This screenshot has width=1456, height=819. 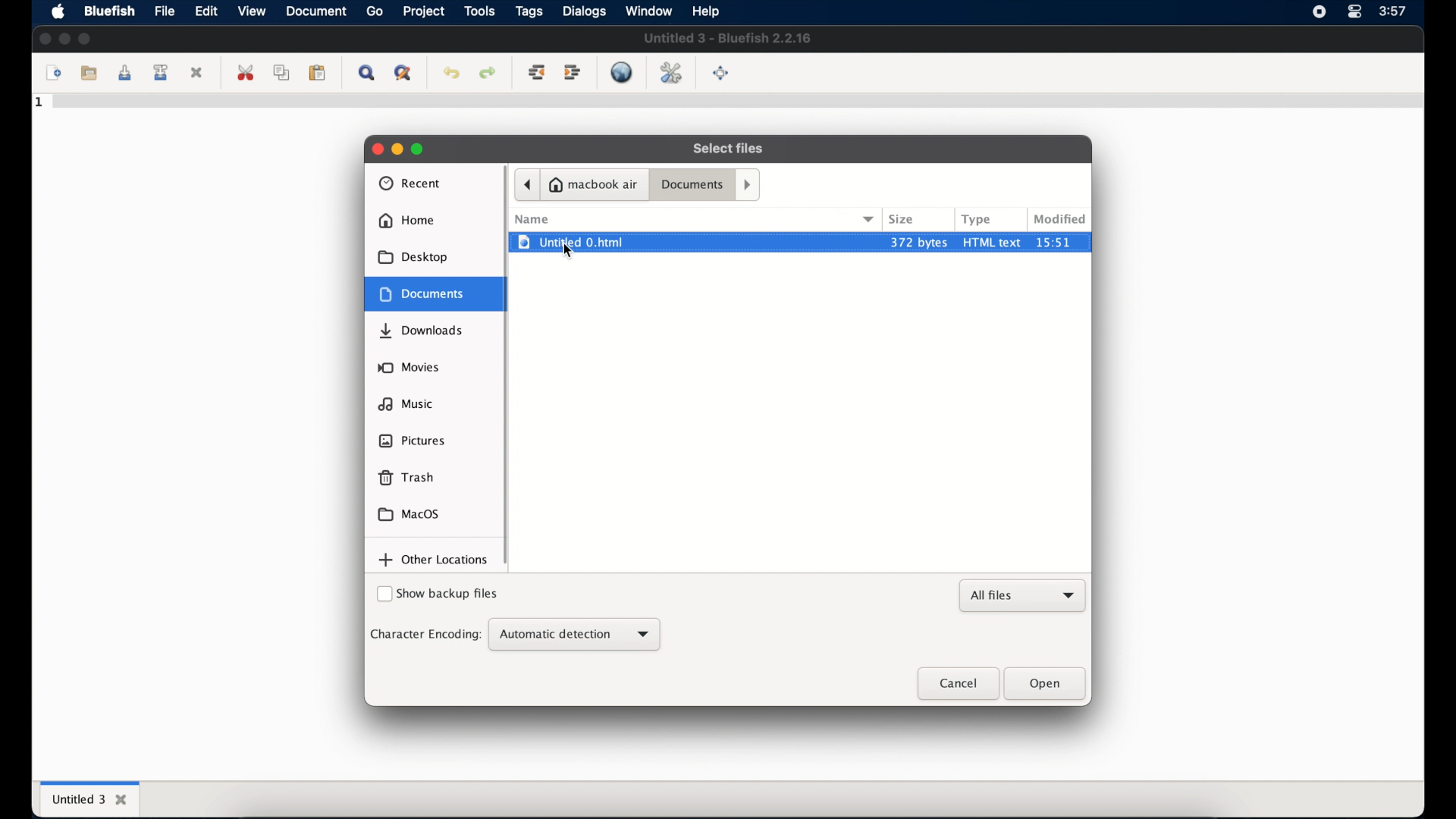 I want to click on desktop, so click(x=414, y=257).